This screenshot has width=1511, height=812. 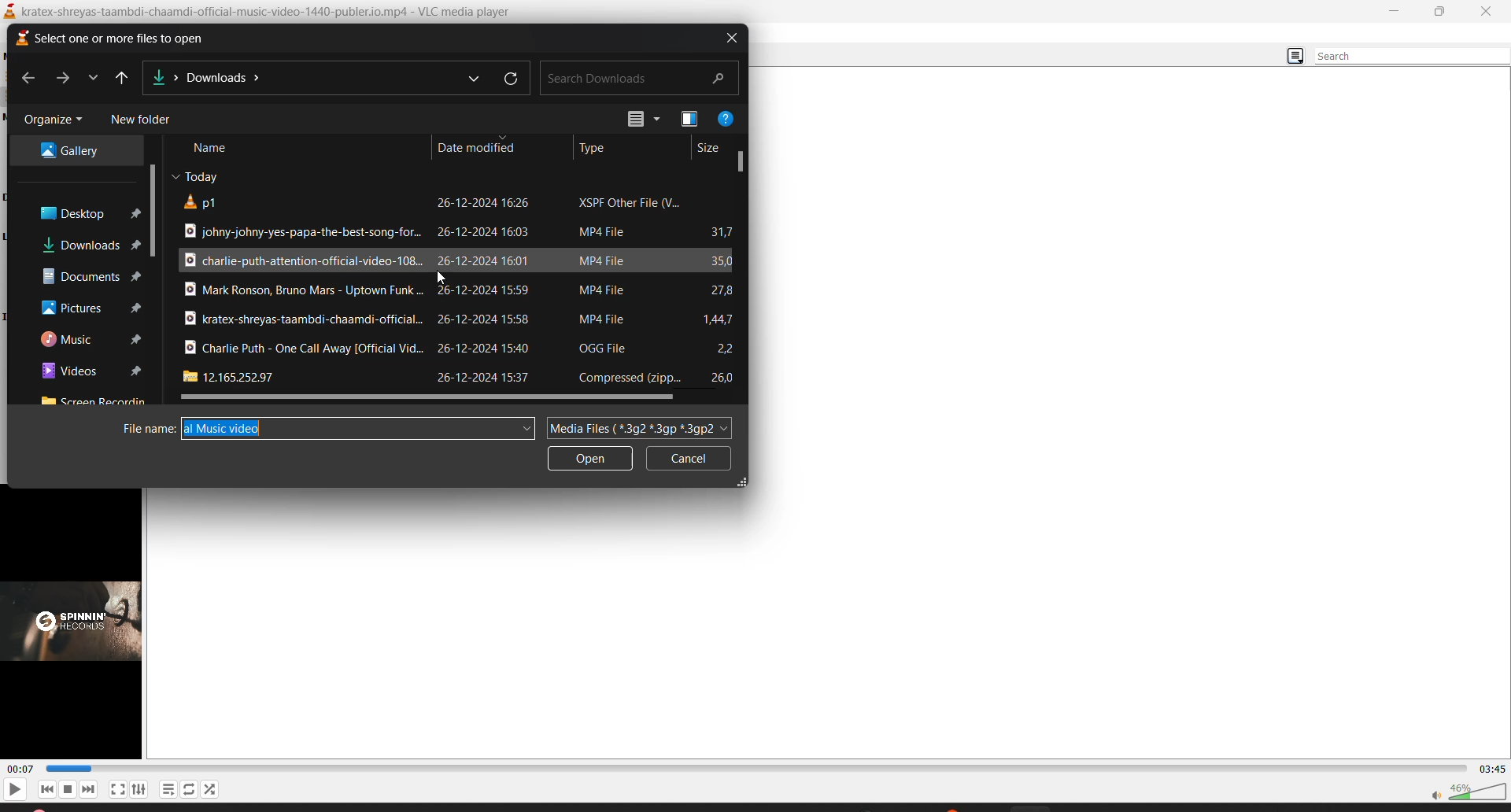 What do you see at coordinates (57, 121) in the screenshot?
I see `organize` at bounding box center [57, 121].